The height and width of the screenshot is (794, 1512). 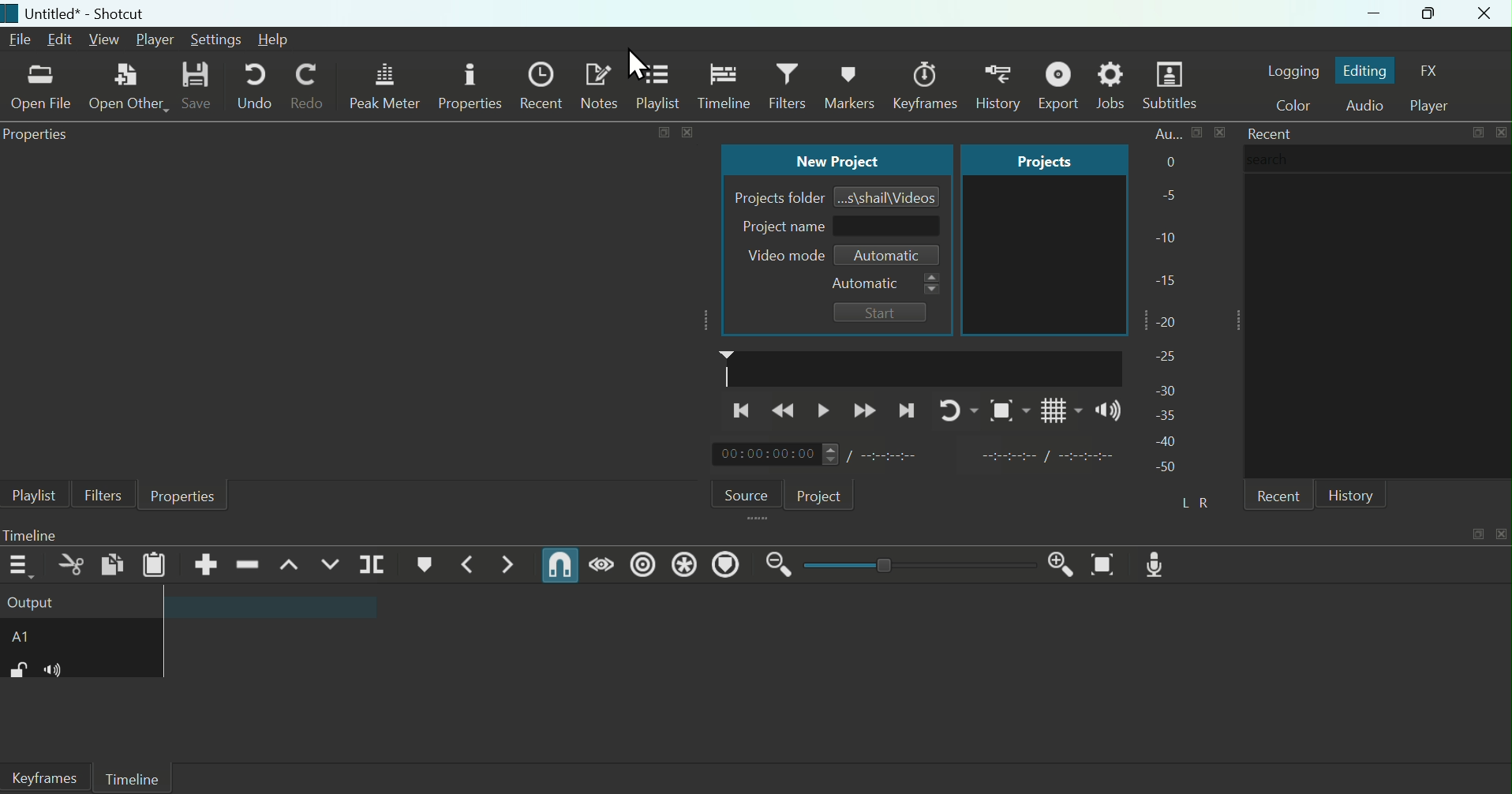 What do you see at coordinates (1173, 86) in the screenshot?
I see `Subtitles` at bounding box center [1173, 86].